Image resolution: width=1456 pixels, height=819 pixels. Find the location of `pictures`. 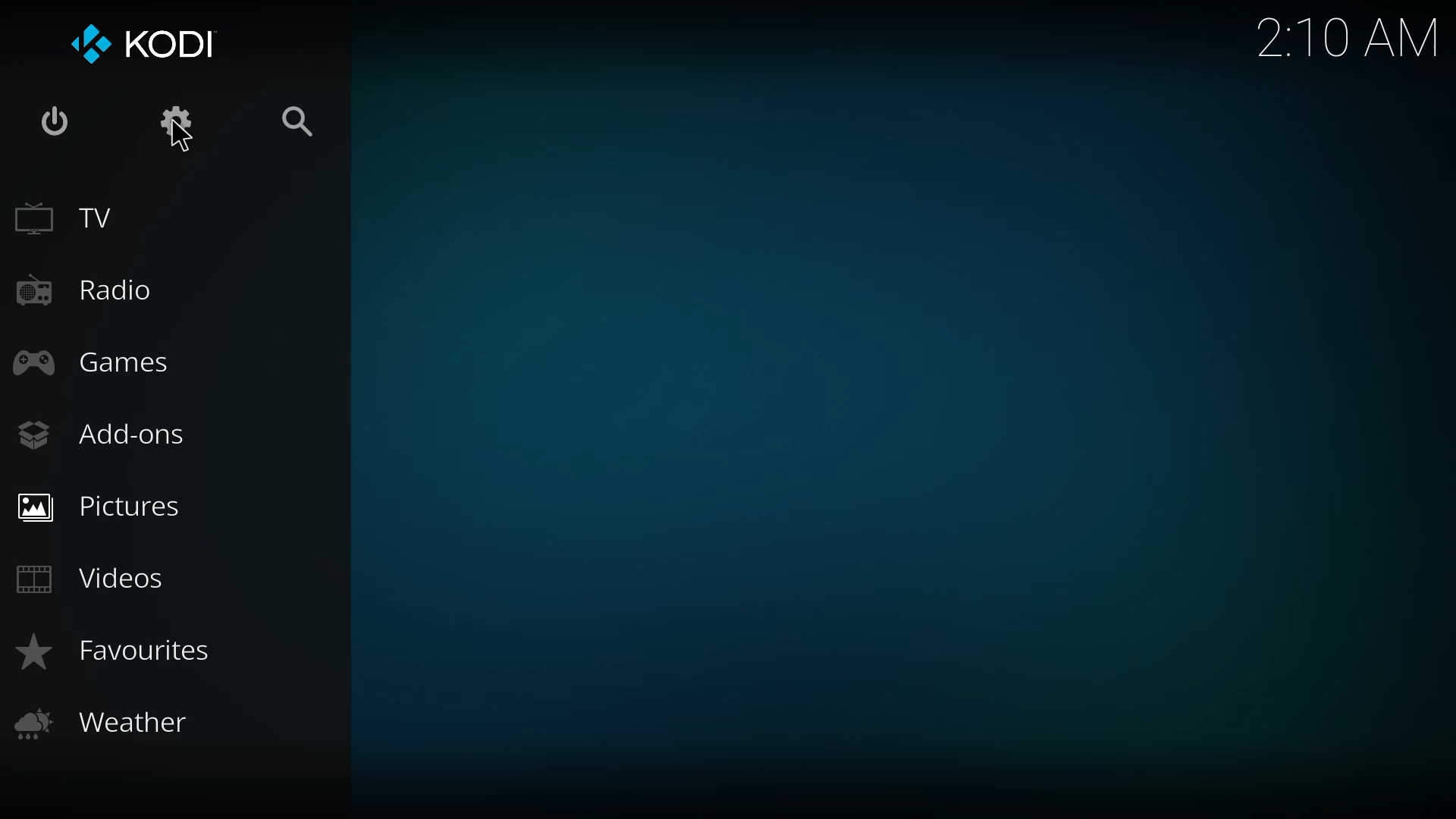

pictures is located at coordinates (102, 505).